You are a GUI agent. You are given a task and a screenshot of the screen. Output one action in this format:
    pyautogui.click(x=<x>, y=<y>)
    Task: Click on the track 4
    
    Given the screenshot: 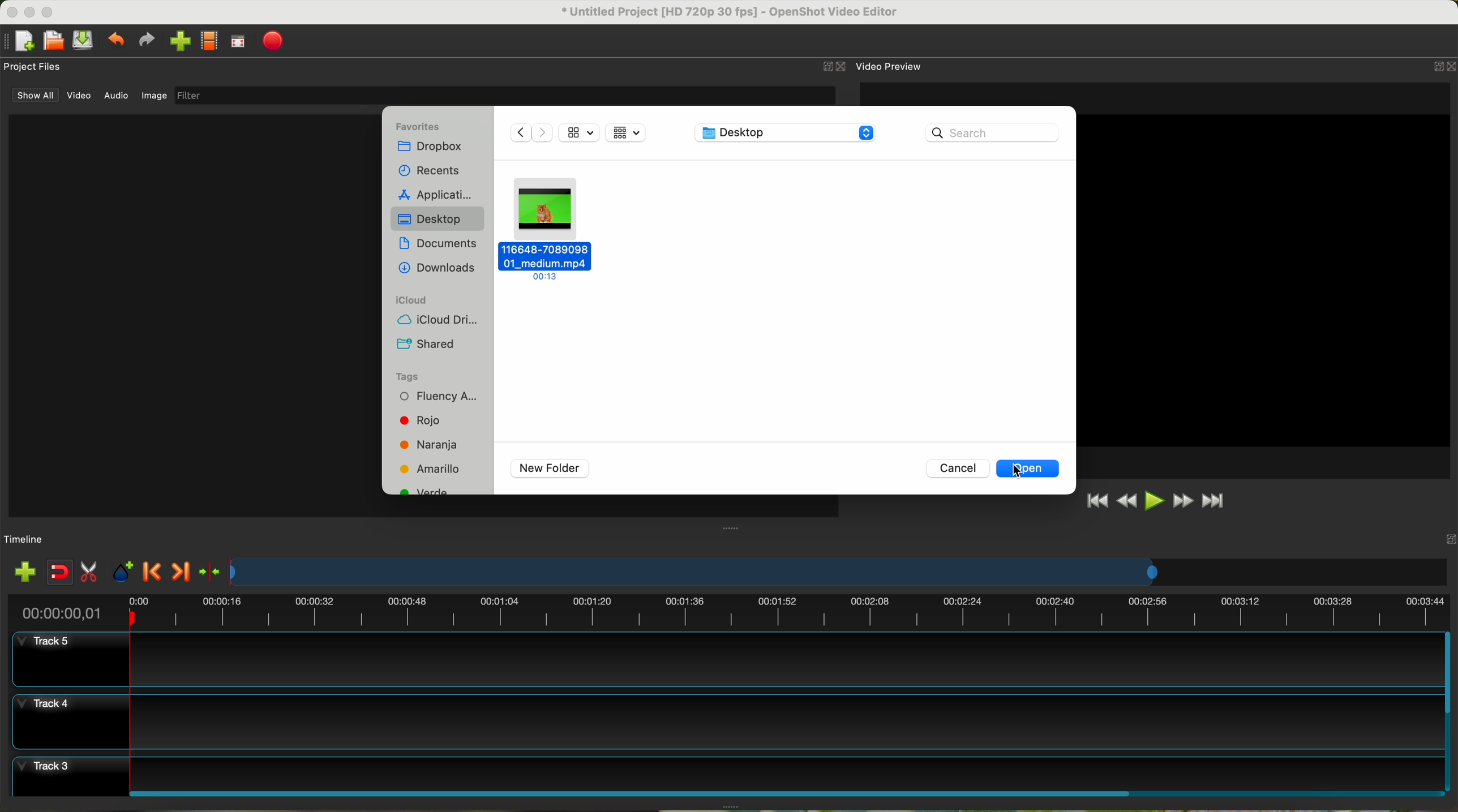 What is the action you would take?
    pyautogui.click(x=725, y=721)
    